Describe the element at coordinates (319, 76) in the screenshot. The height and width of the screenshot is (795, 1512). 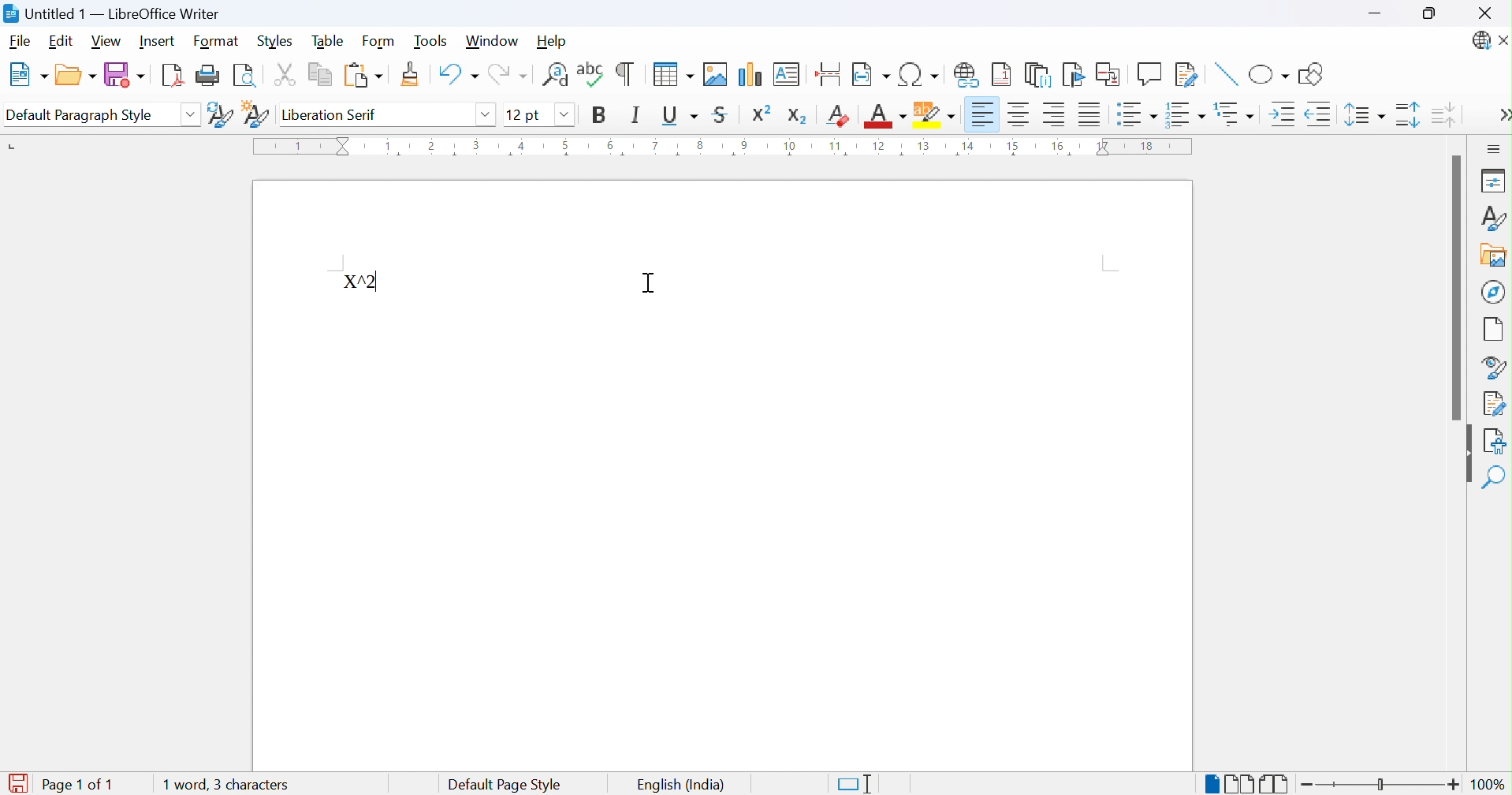
I see `Copy` at that location.